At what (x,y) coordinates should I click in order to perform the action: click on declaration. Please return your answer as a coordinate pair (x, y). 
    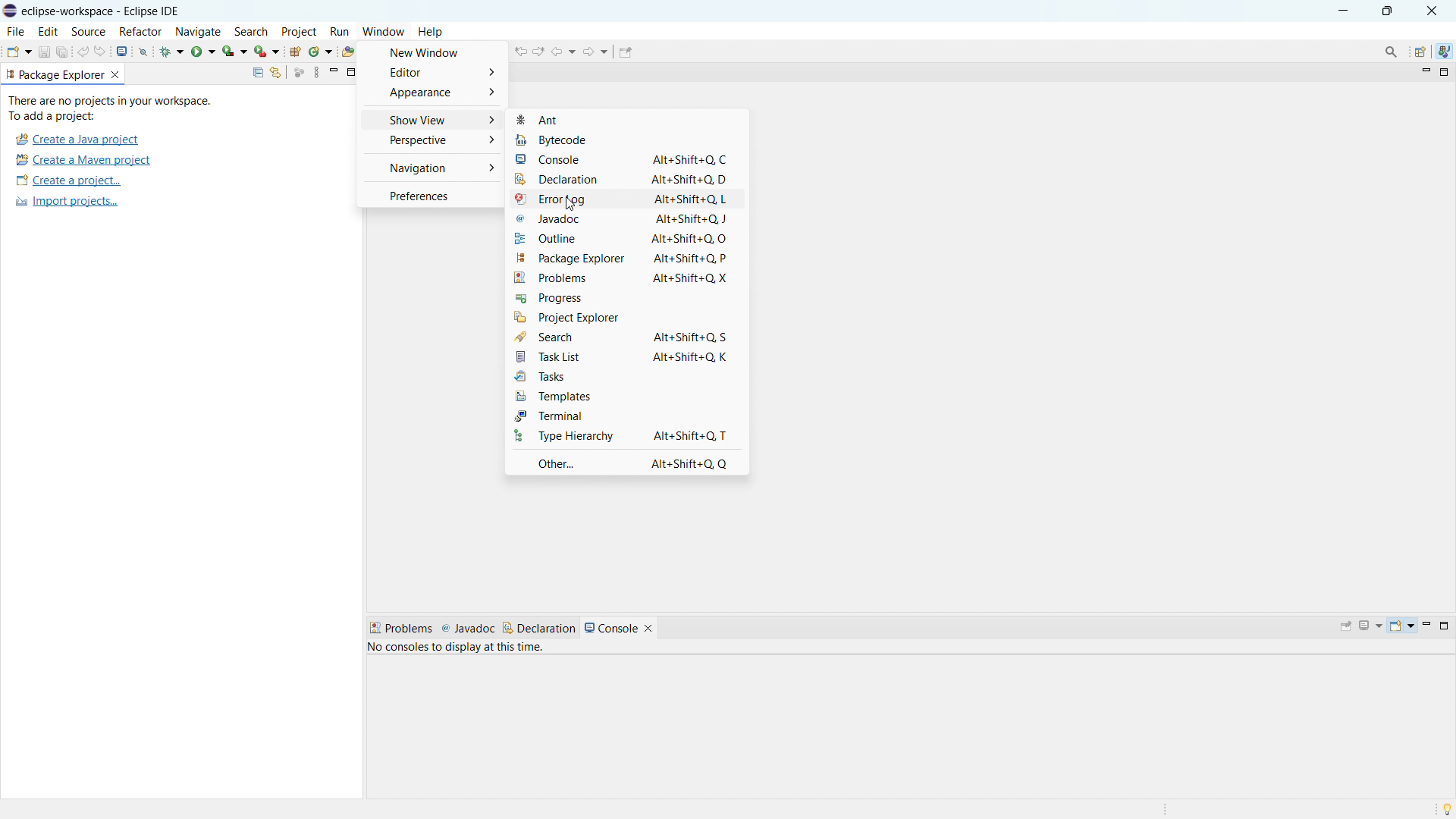
    Looking at the image, I should click on (539, 628).